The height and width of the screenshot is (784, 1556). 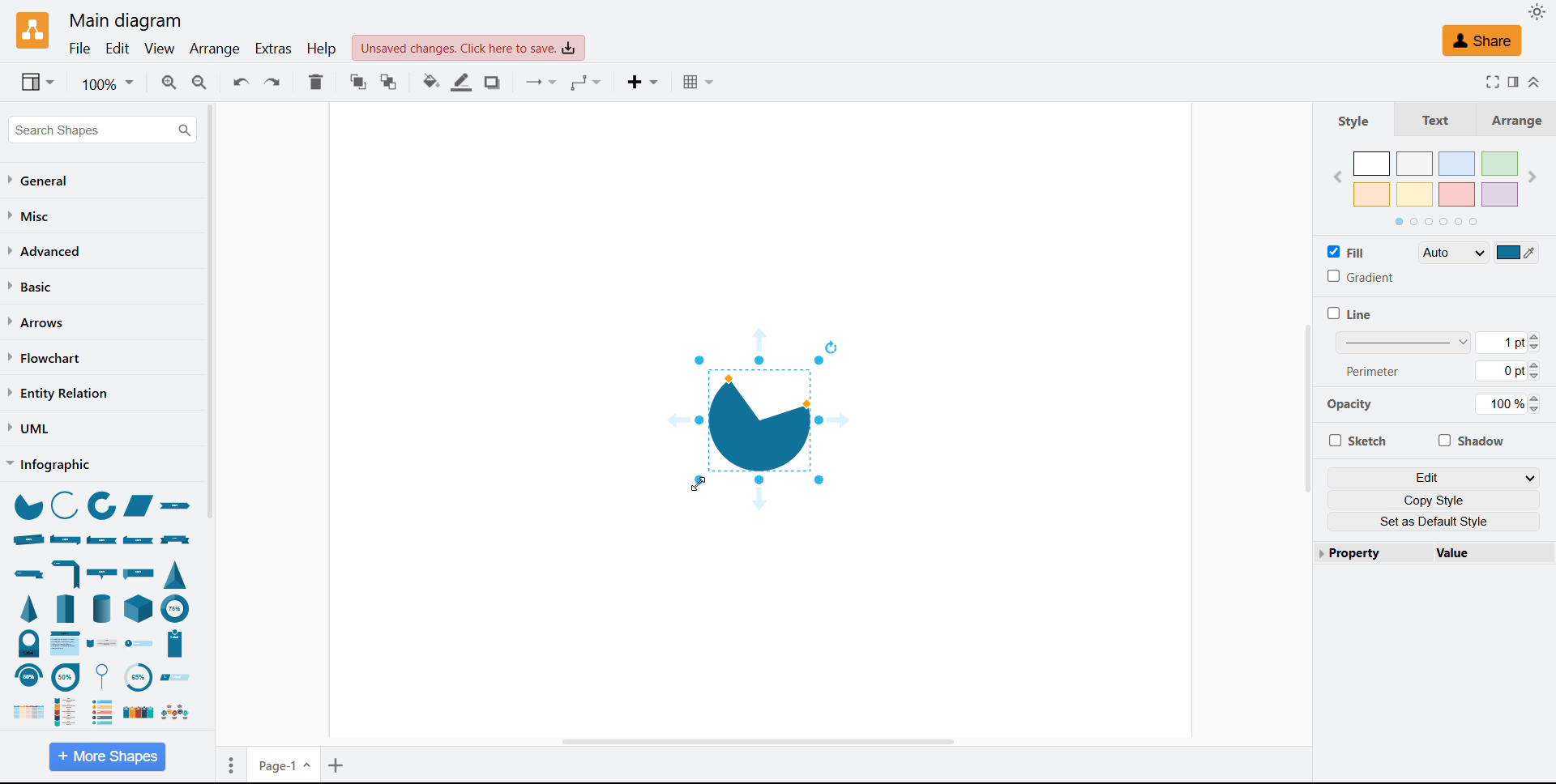 What do you see at coordinates (1360, 276) in the screenshot?
I see `Gradient ` at bounding box center [1360, 276].